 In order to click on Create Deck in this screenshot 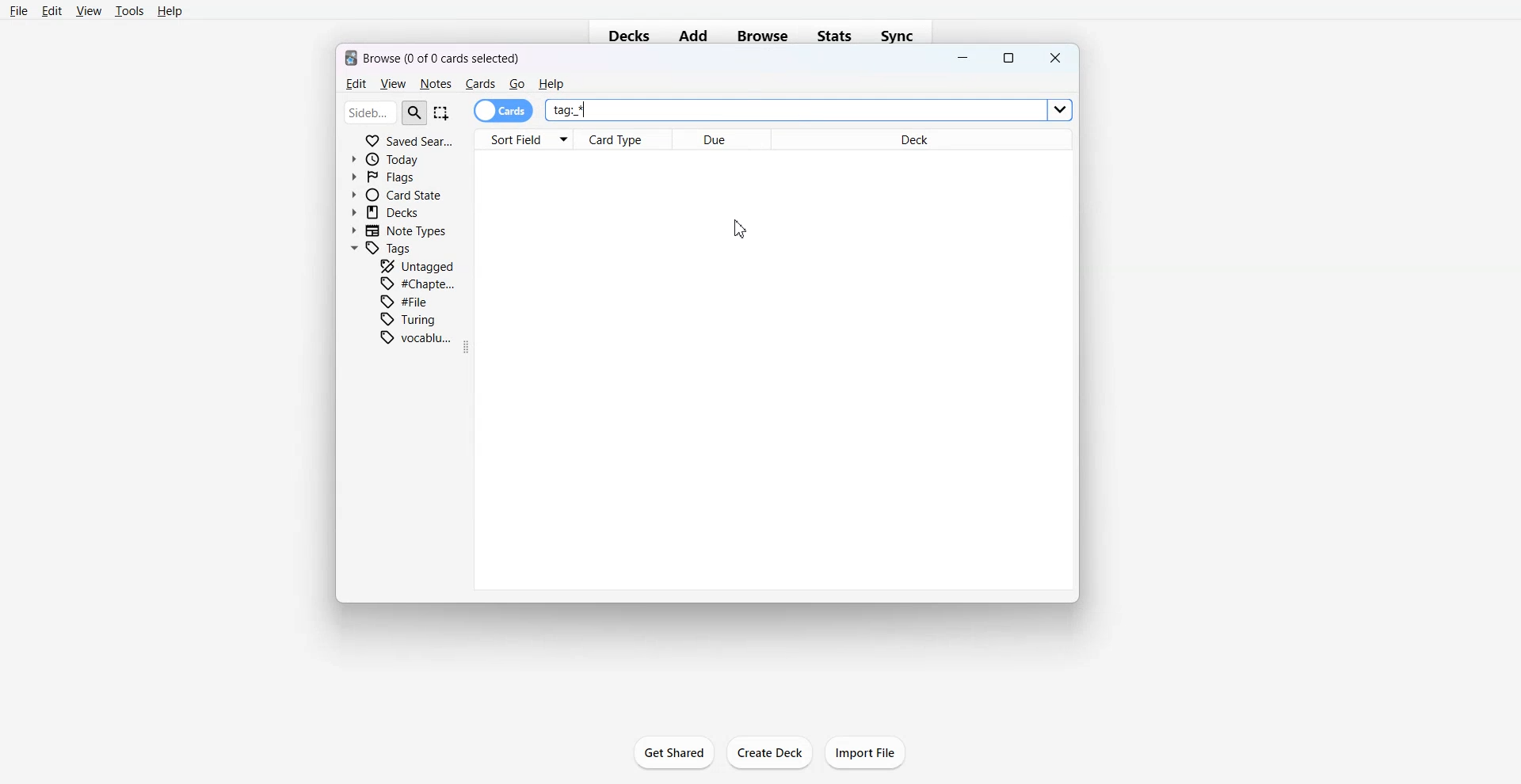, I will do `click(770, 753)`.